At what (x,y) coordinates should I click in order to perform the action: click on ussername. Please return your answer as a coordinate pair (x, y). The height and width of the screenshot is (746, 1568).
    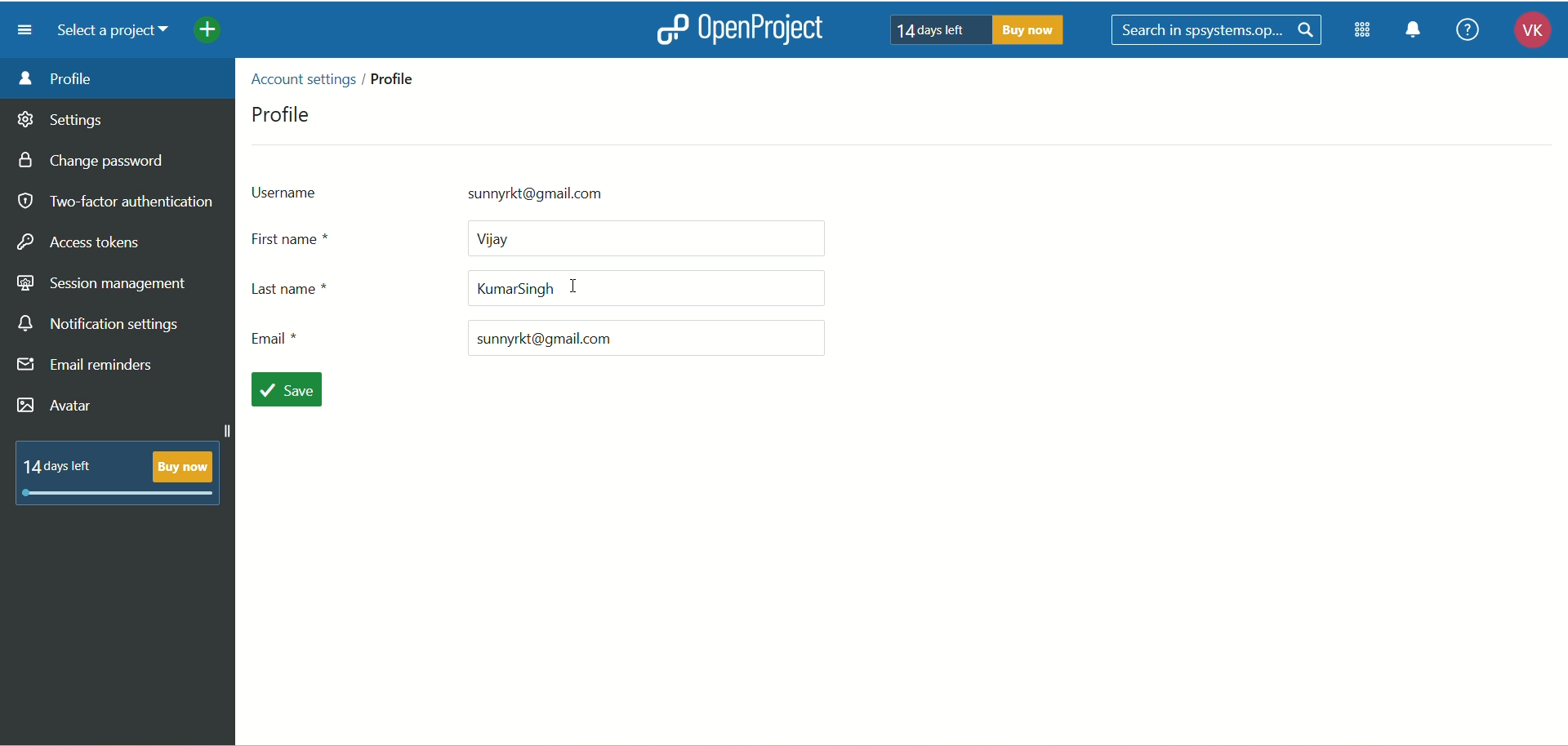
    Looking at the image, I should click on (510, 191).